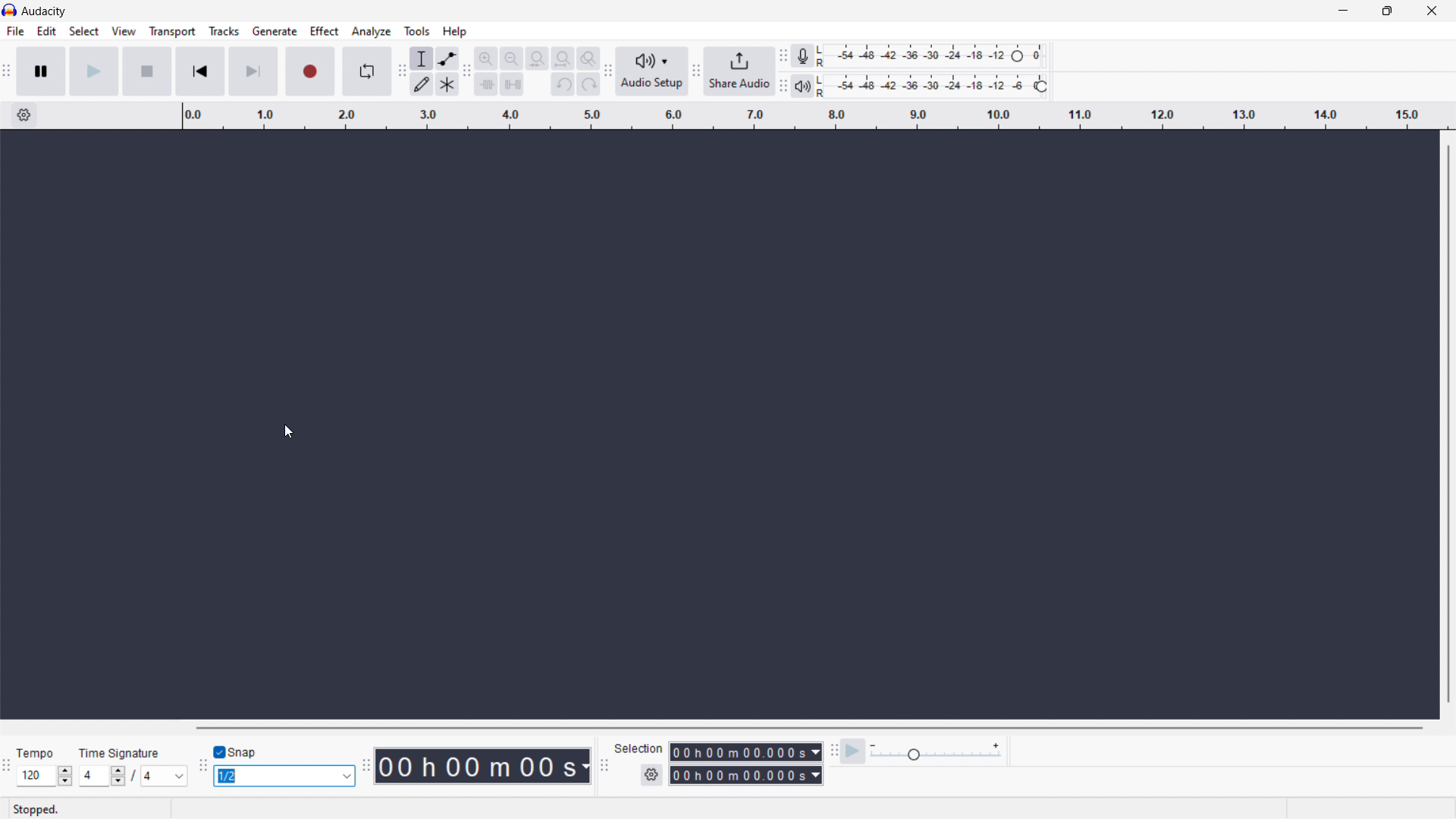 The height and width of the screenshot is (819, 1456). I want to click on playback meter tool, so click(803, 86).